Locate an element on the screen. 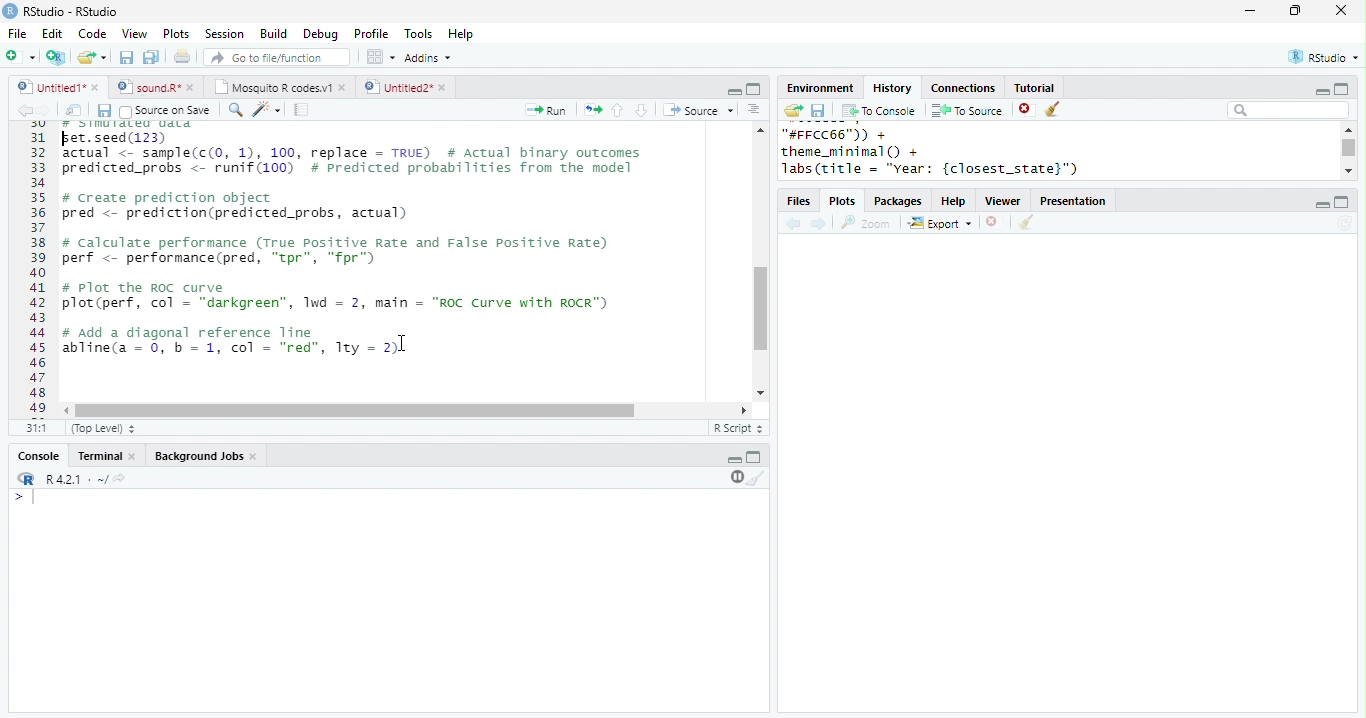 This screenshot has width=1366, height=718. save is located at coordinates (126, 57).